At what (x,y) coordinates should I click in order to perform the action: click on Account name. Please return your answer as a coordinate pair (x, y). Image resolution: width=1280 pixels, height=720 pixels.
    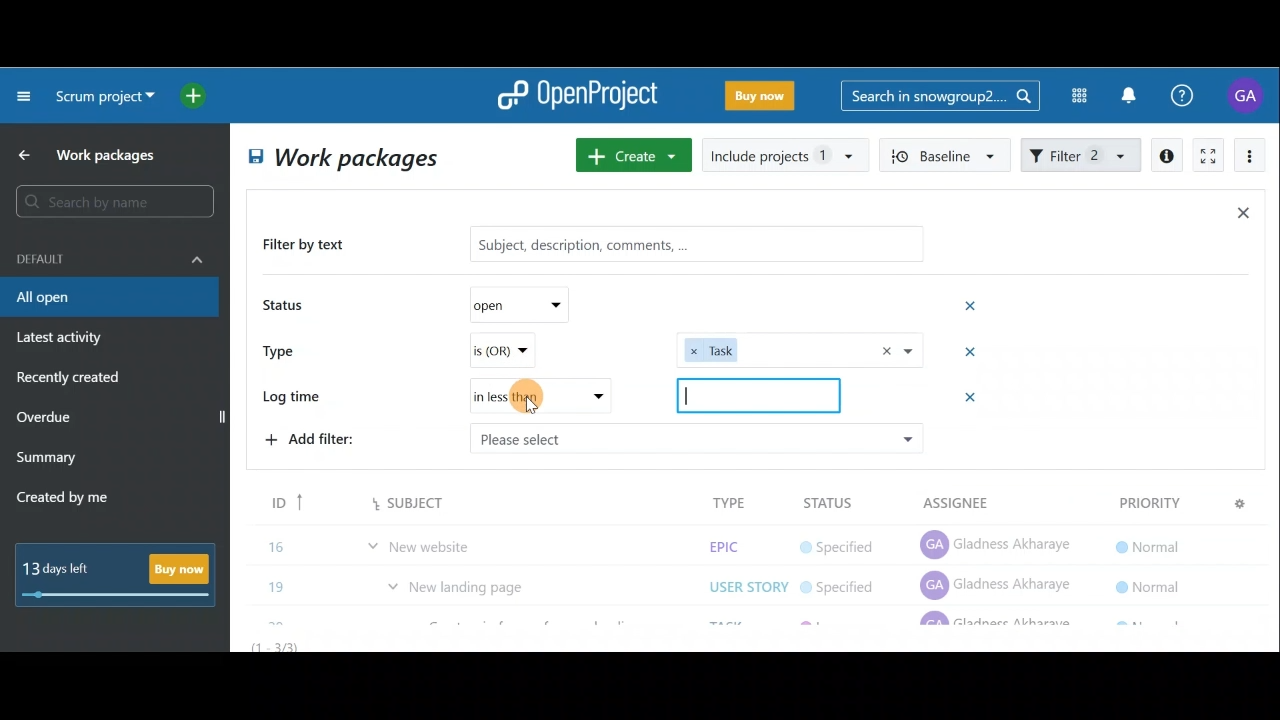
    Looking at the image, I should click on (1248, 95).